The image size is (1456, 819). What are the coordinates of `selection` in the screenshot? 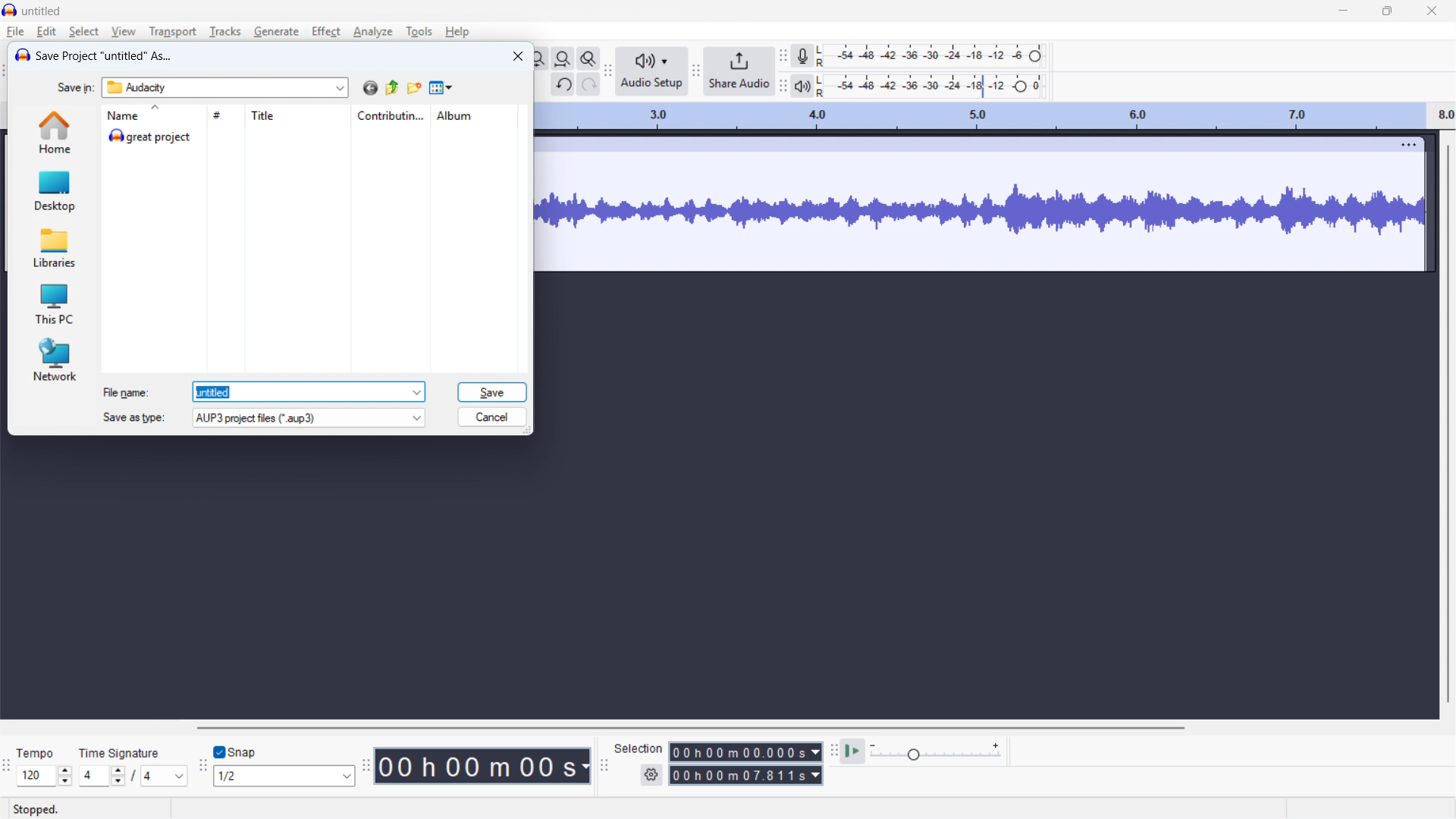 It's located at (639, 748).